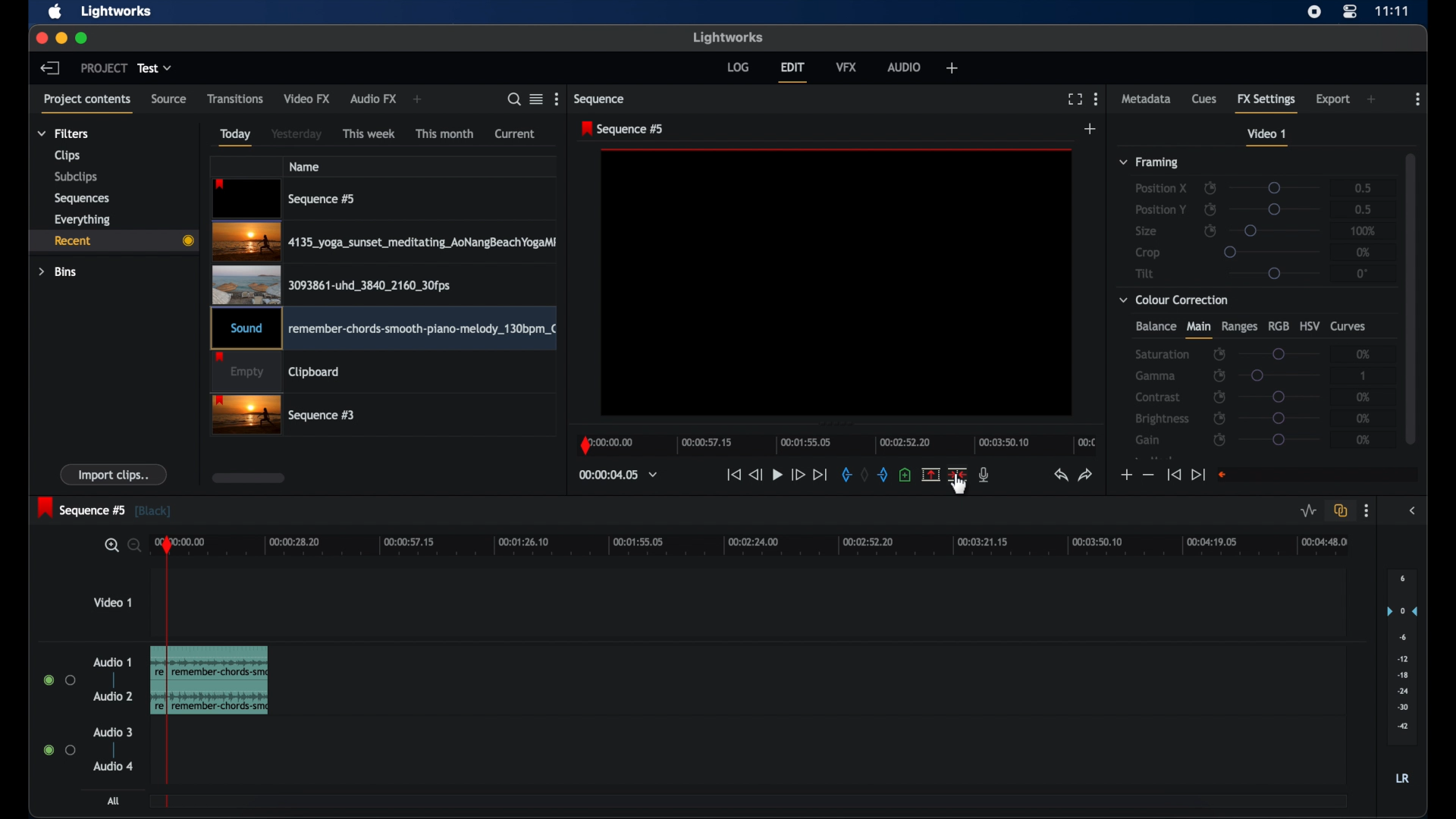 The width and height of the screenshot is (1456, 819). What do you see at coordinates (118, 11) in the screenshot?
I see `lightworks` at bounding box center [118, 11].